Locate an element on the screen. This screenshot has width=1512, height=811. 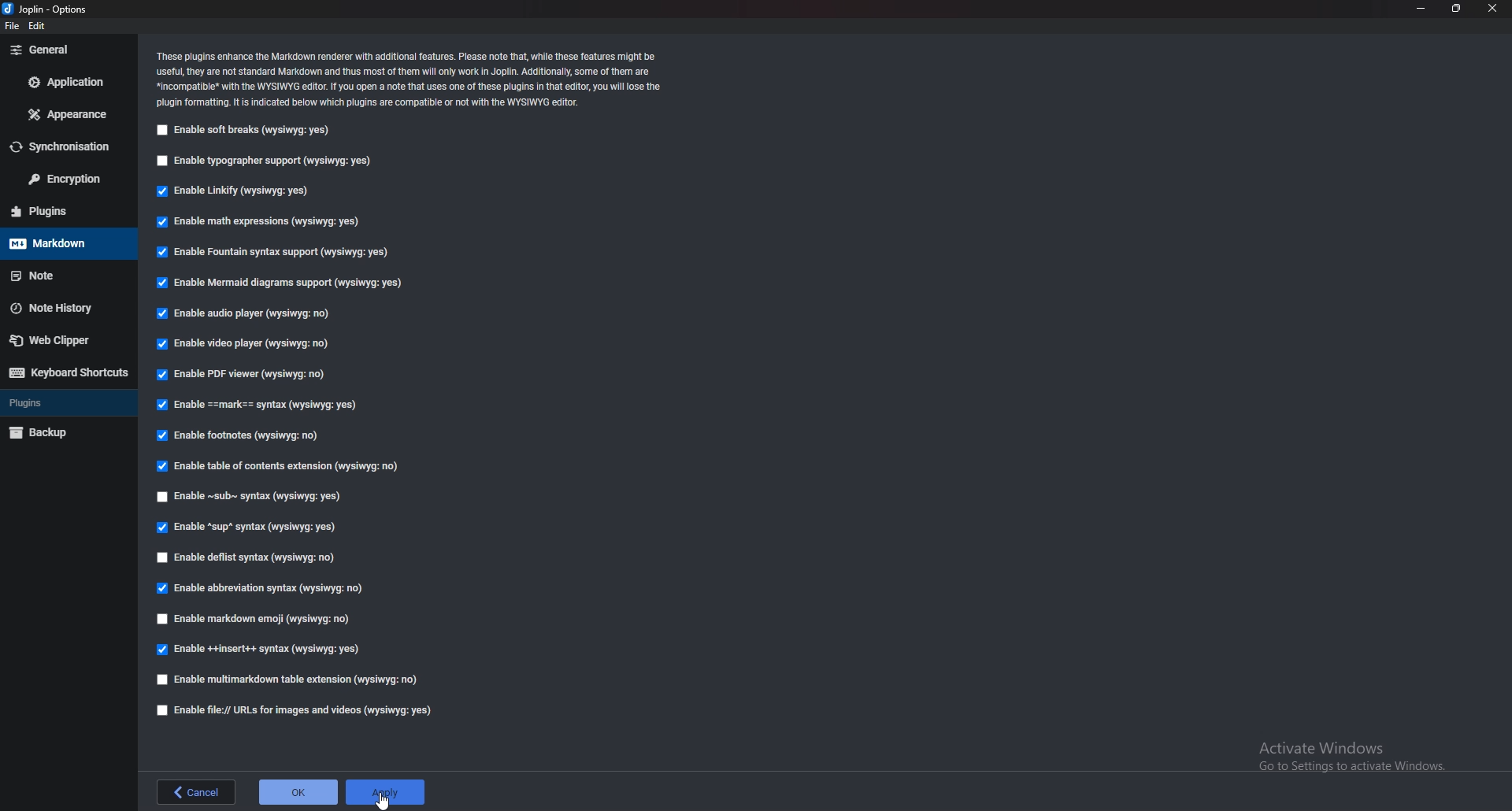
Enable multi markdown table is located at coordinates (292, 680).